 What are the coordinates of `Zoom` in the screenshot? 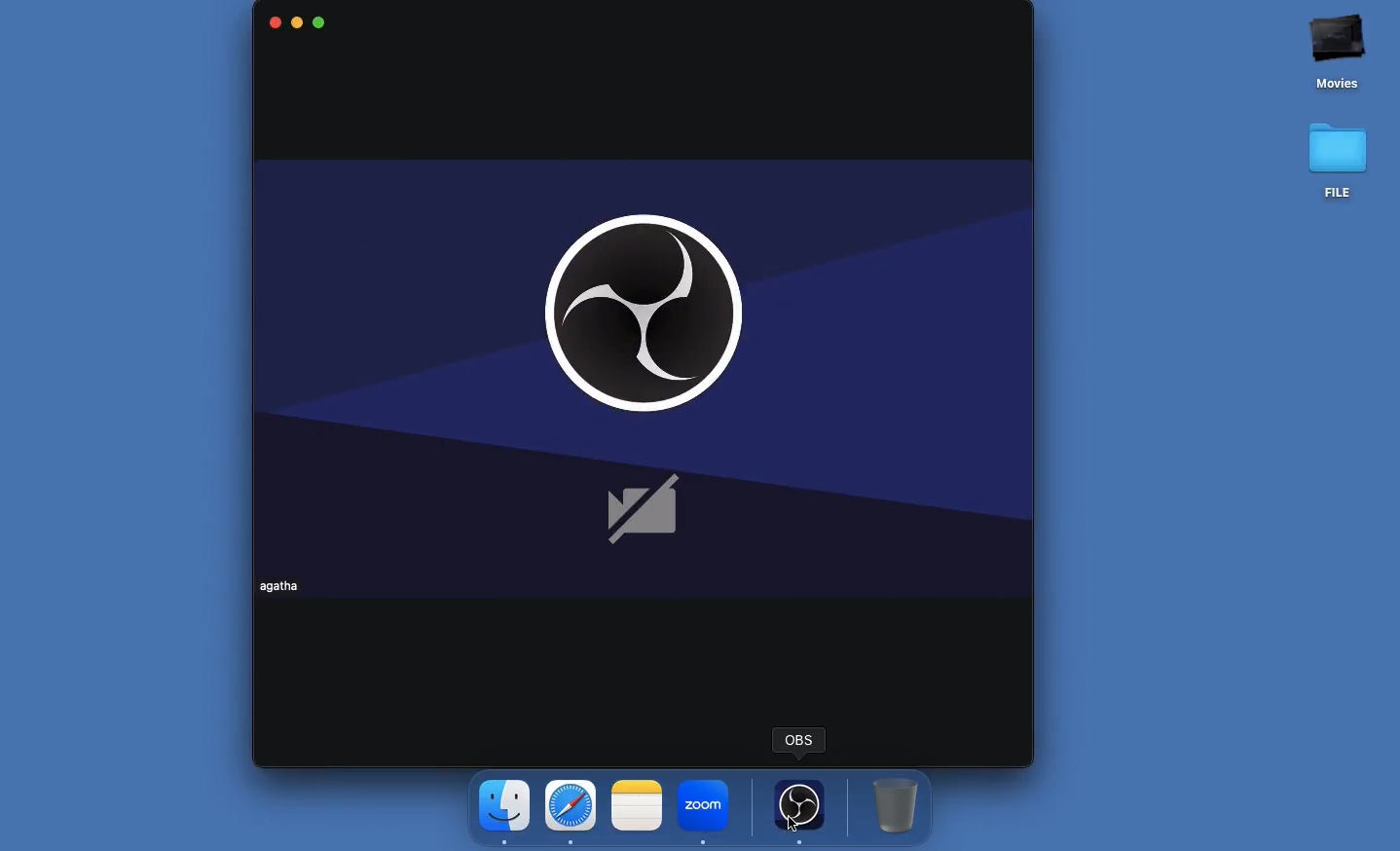 It's located at (704, 808).